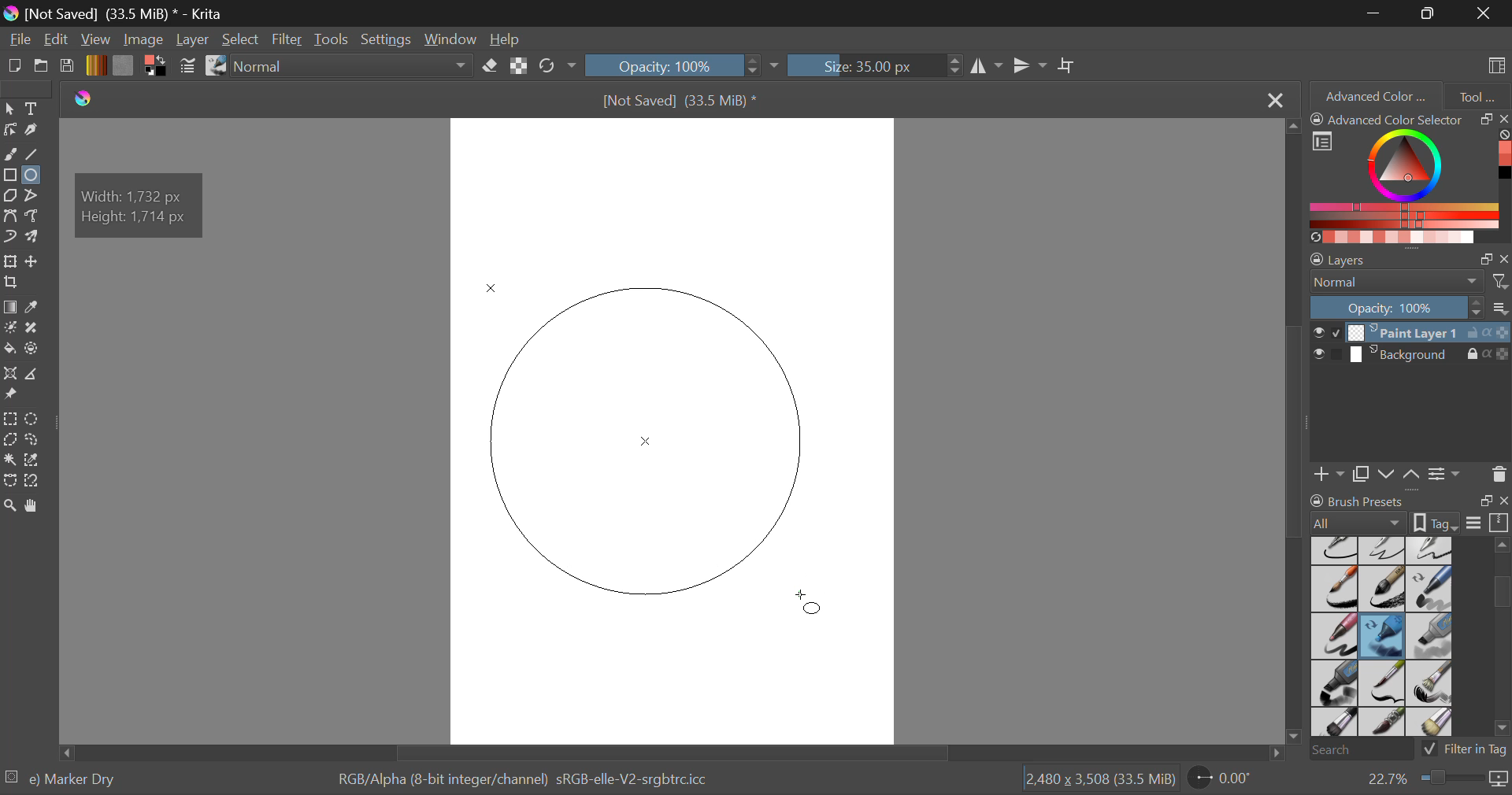  Describe the element at coordinates (68, 67) in the screenshot. I see `Save` at that location.